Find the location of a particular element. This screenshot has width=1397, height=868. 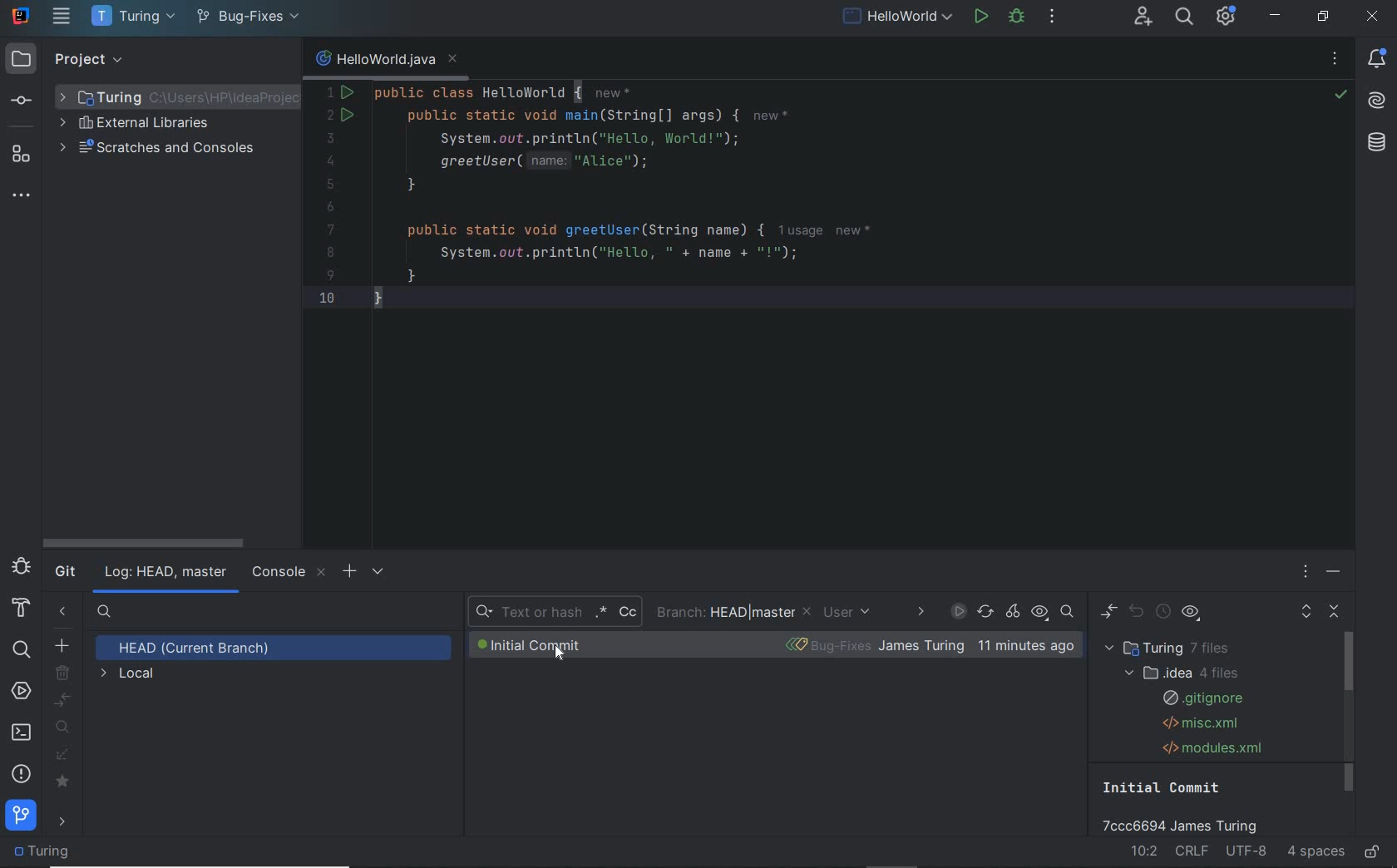

6 is located at coordinates (330, 208).